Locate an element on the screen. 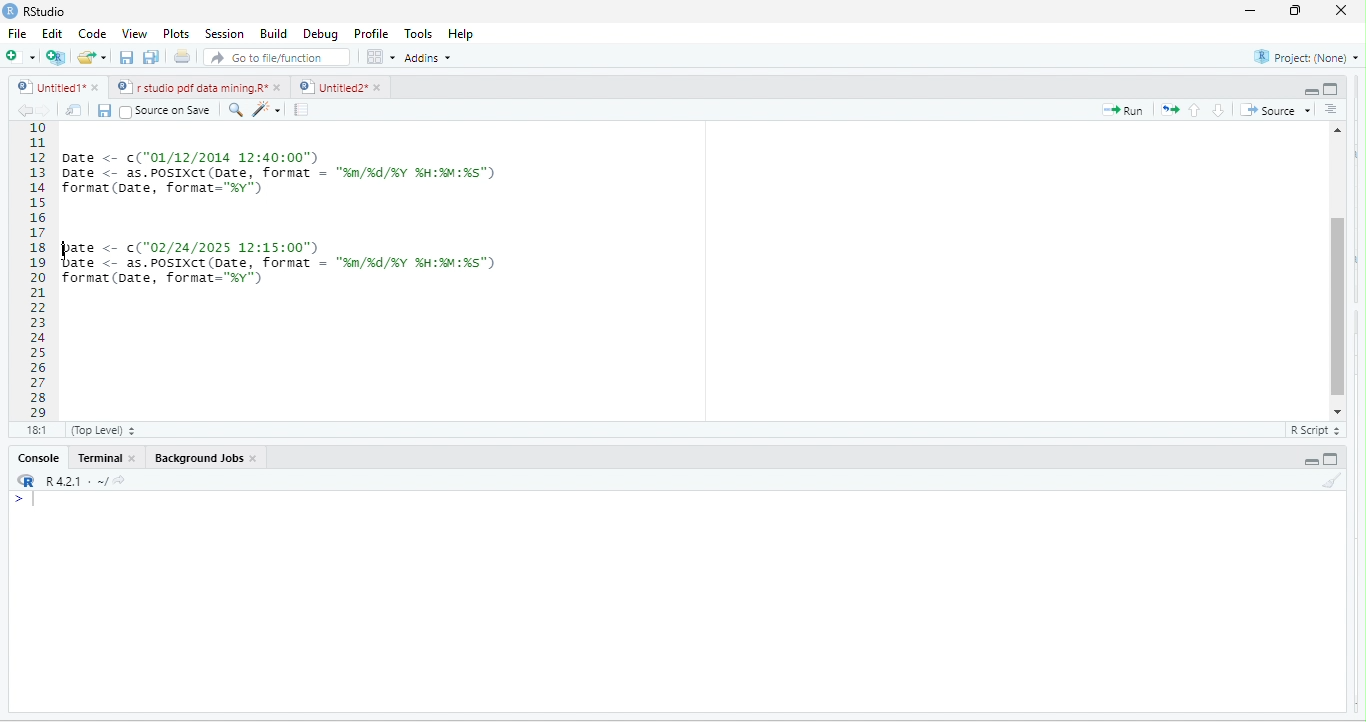  hide console is located at coordinates (1334, 458).